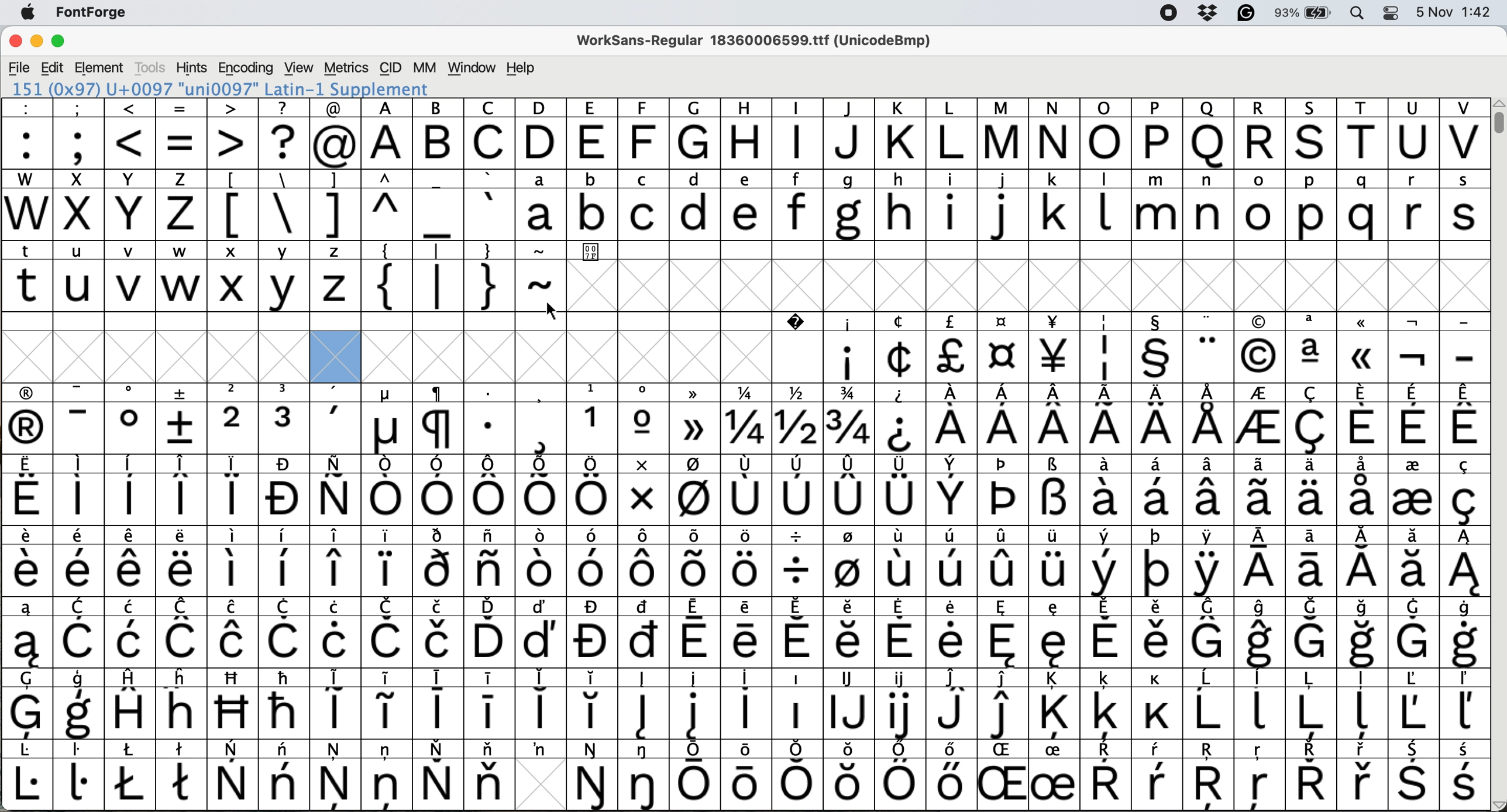  I want to click on symbol, so click(27, 776).